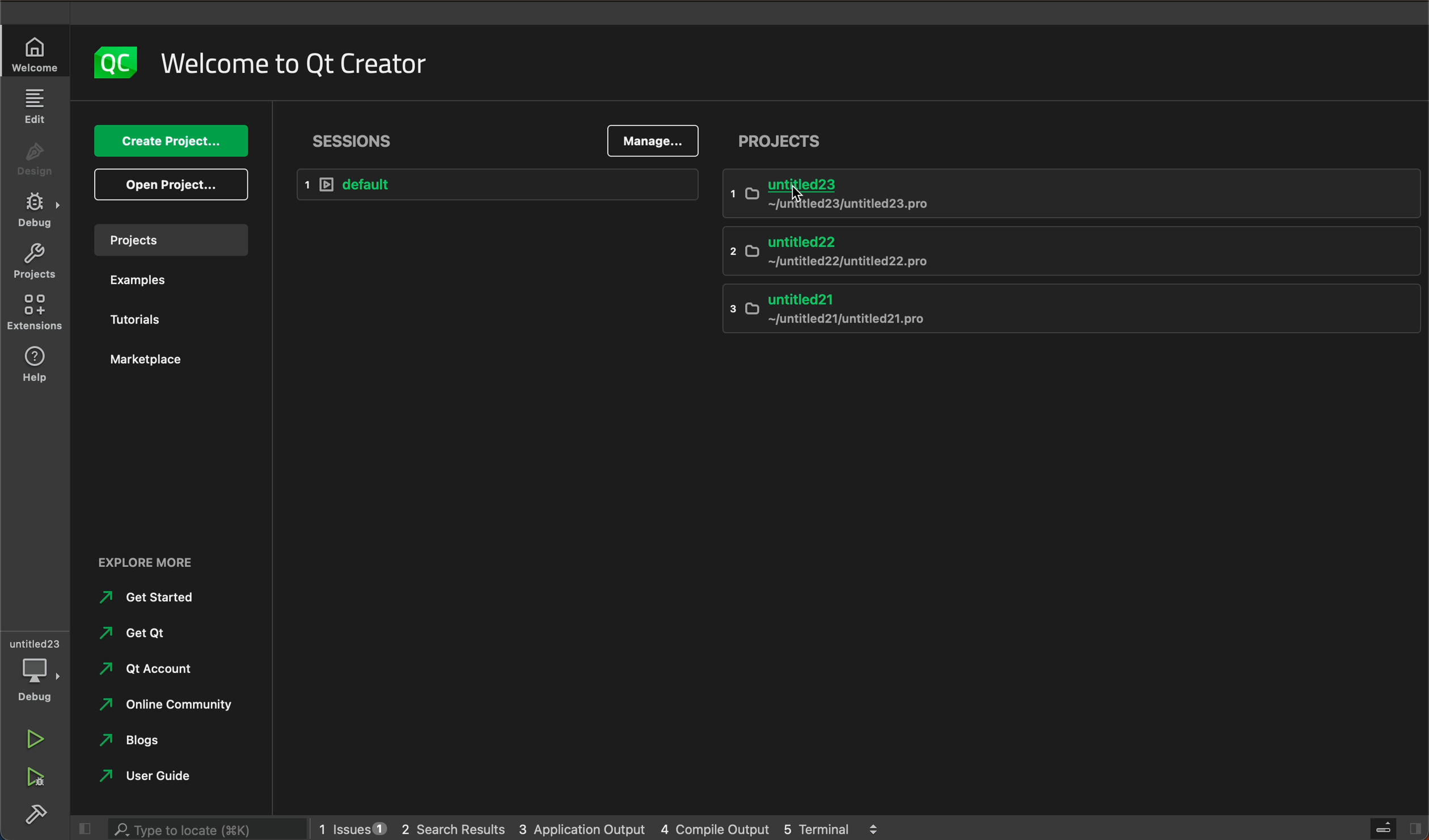 The width and height of the screenshot is (1429, 840). What do you see at coordinates (298, 68) in the screenshot?
I see `welcome` at bounding box center [298, 68].